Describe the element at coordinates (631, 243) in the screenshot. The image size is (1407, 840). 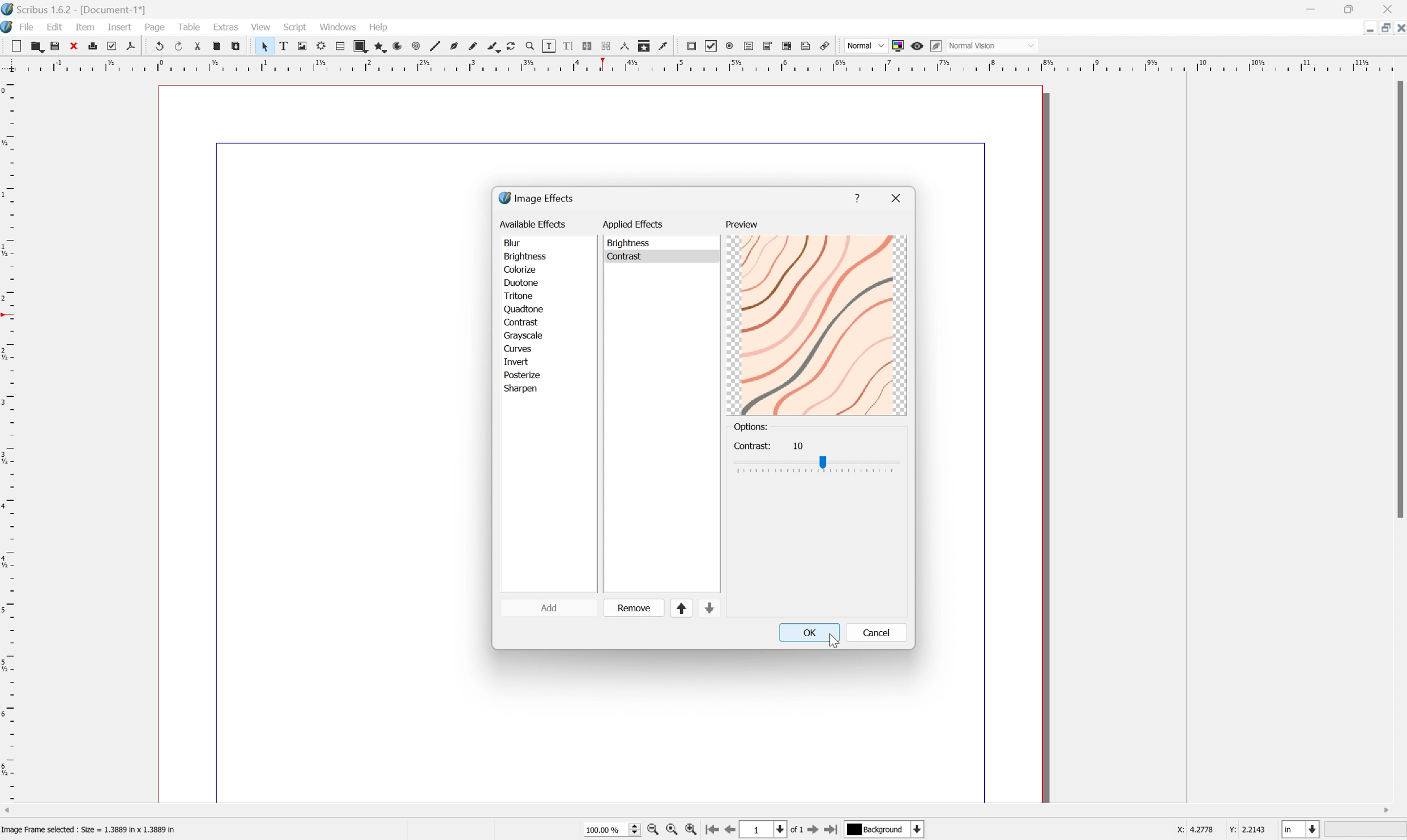
I see `brightness` at that location.